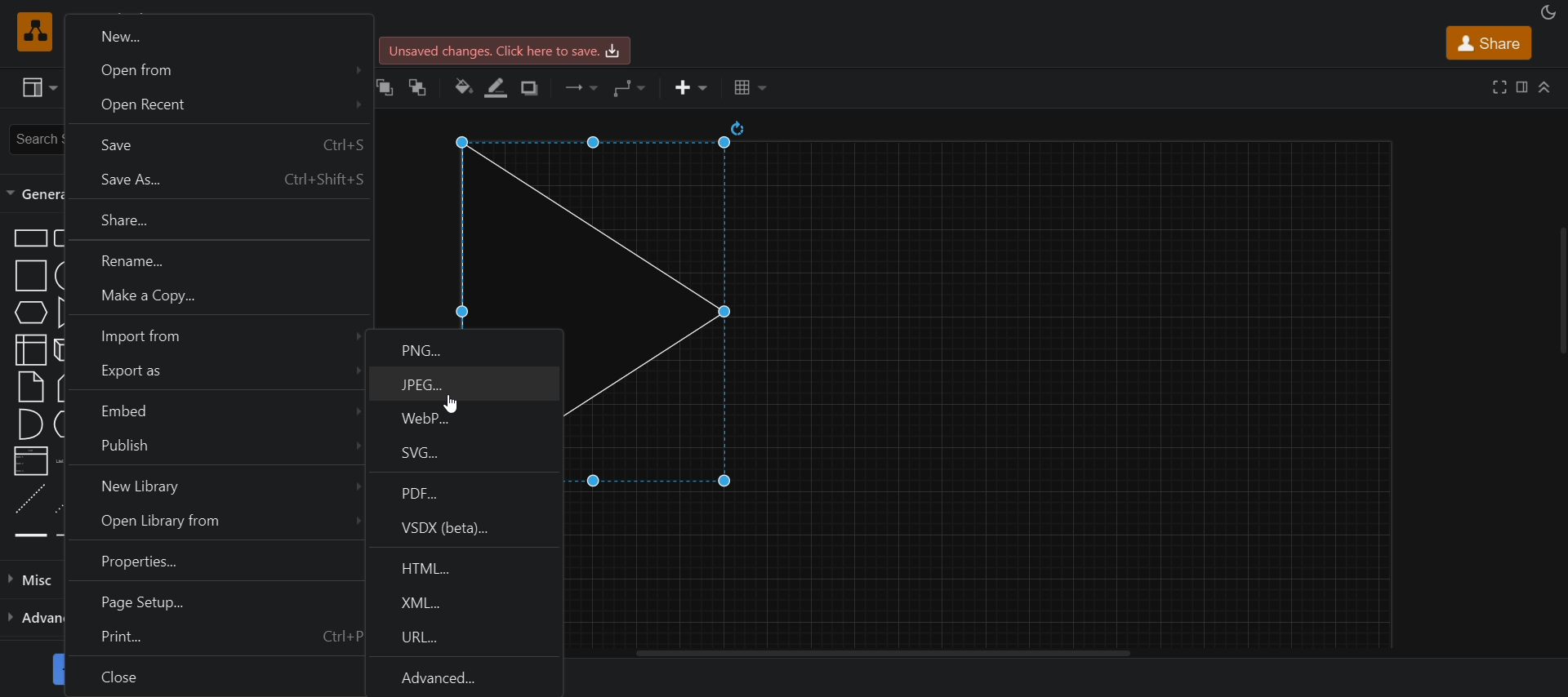 This screenshot has height=697, width=1568. Describe the element at coordinates (212, 374) in the screenshot. I see `export as` at that location.